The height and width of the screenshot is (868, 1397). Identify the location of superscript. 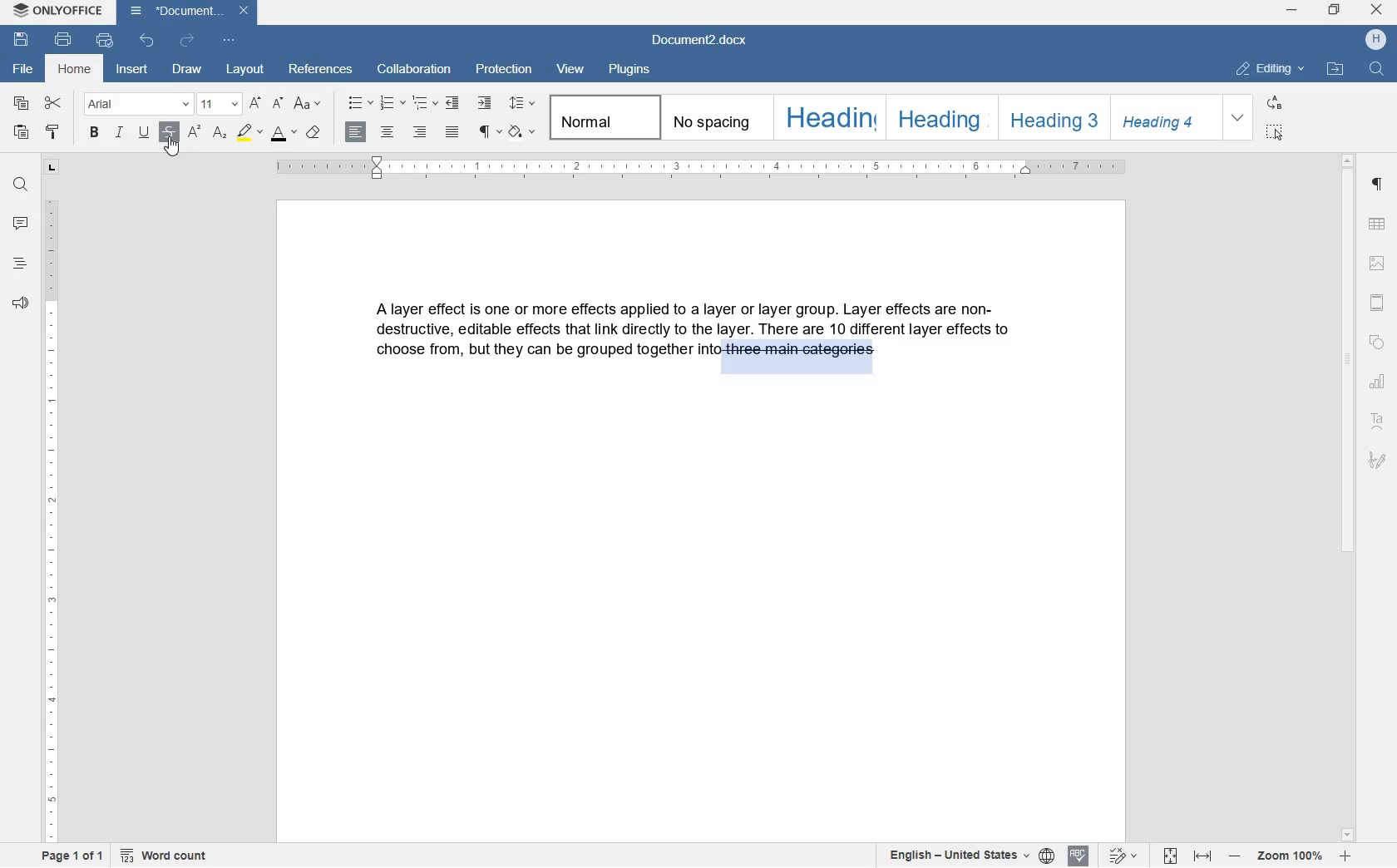
(195, 134).